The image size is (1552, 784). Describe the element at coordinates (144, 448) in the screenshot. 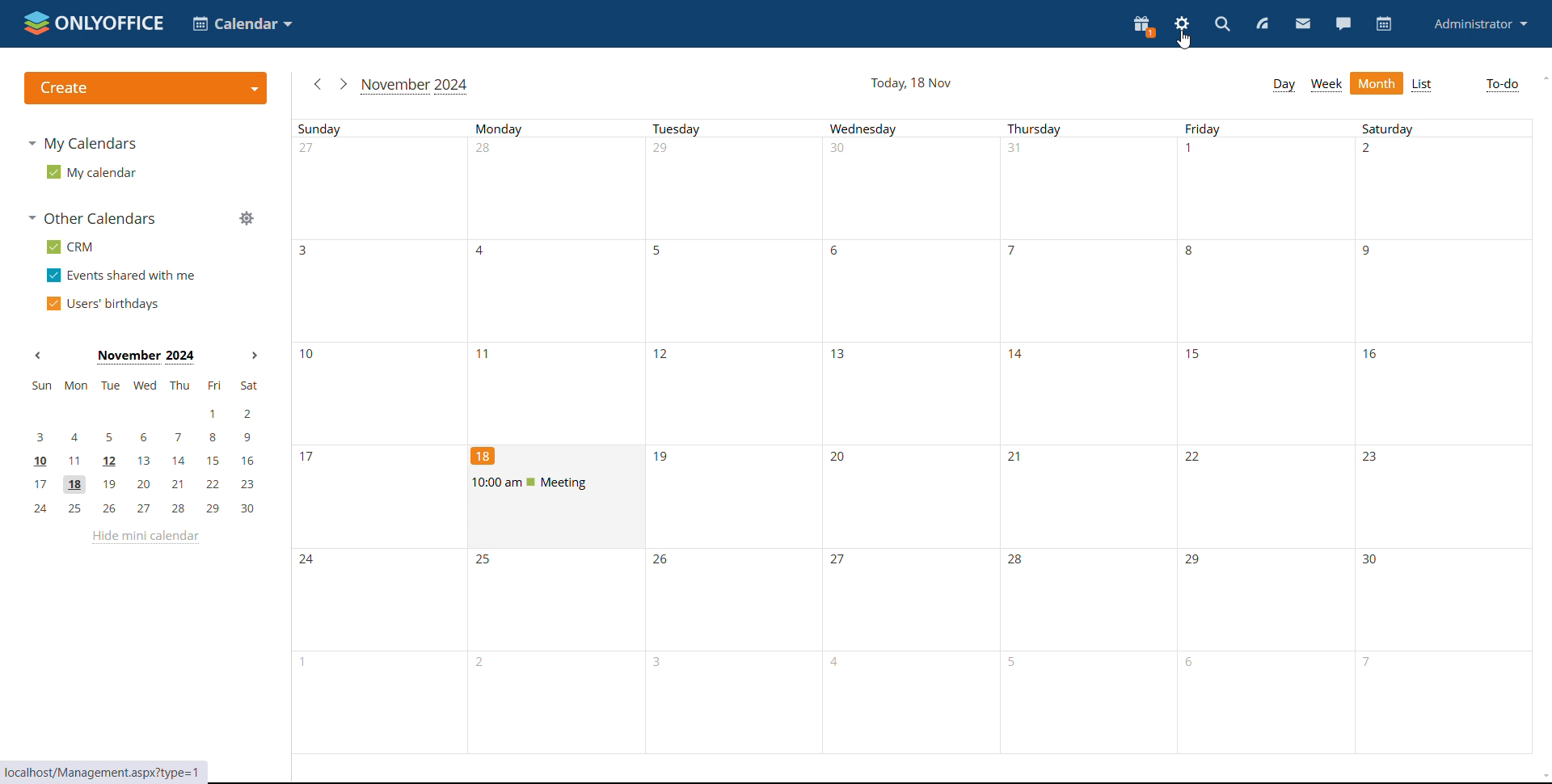

I see `mini calendar` at that location.